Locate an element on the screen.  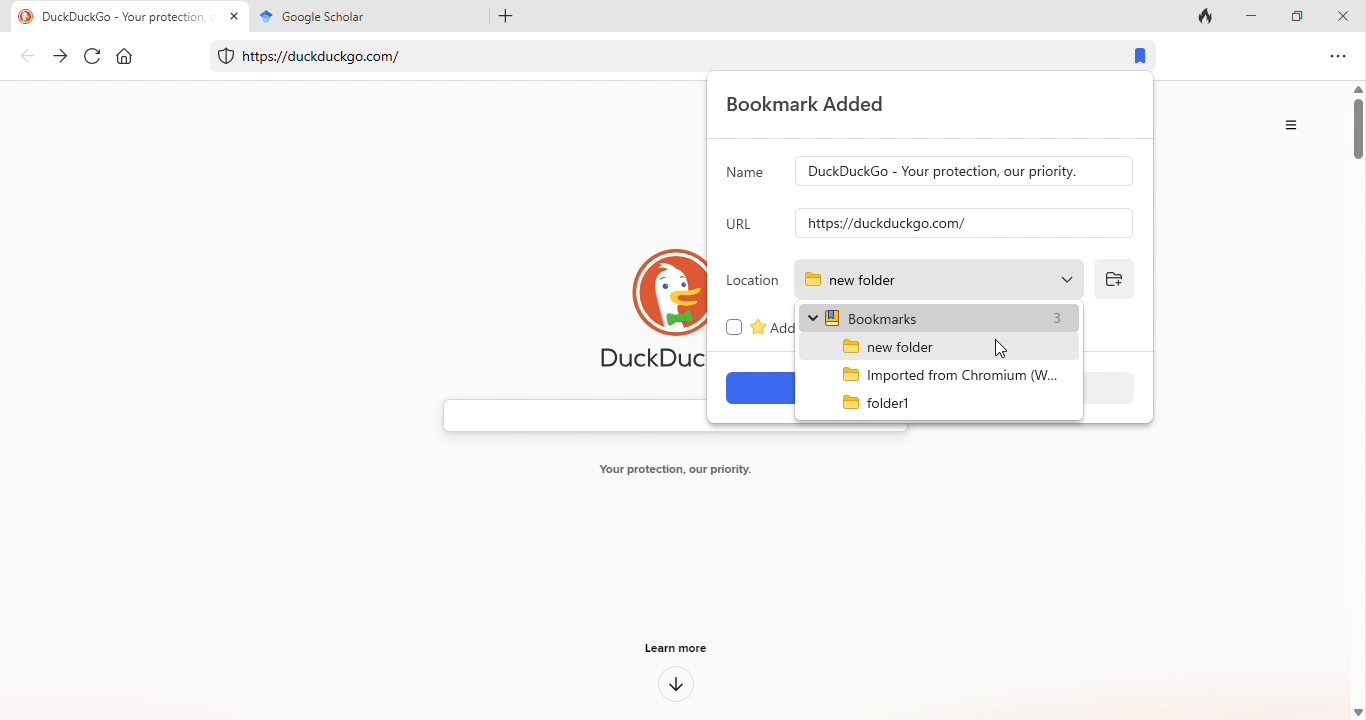
 is located at coordinates (964, 172).